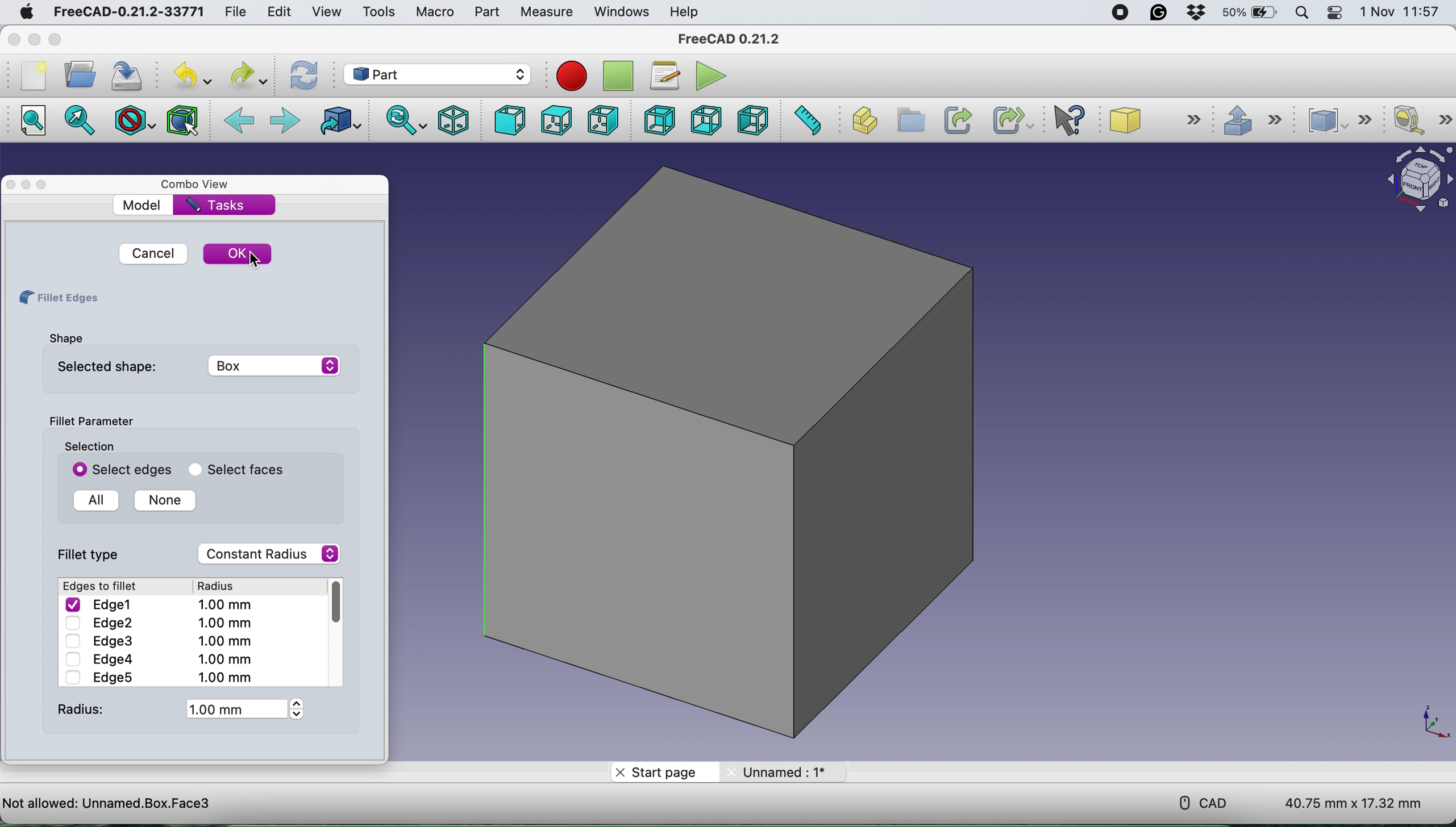 The image size is (1456, 827). Describe the element at coordinates (781, 773) in the screenshot. I see `unnamed` at that location.